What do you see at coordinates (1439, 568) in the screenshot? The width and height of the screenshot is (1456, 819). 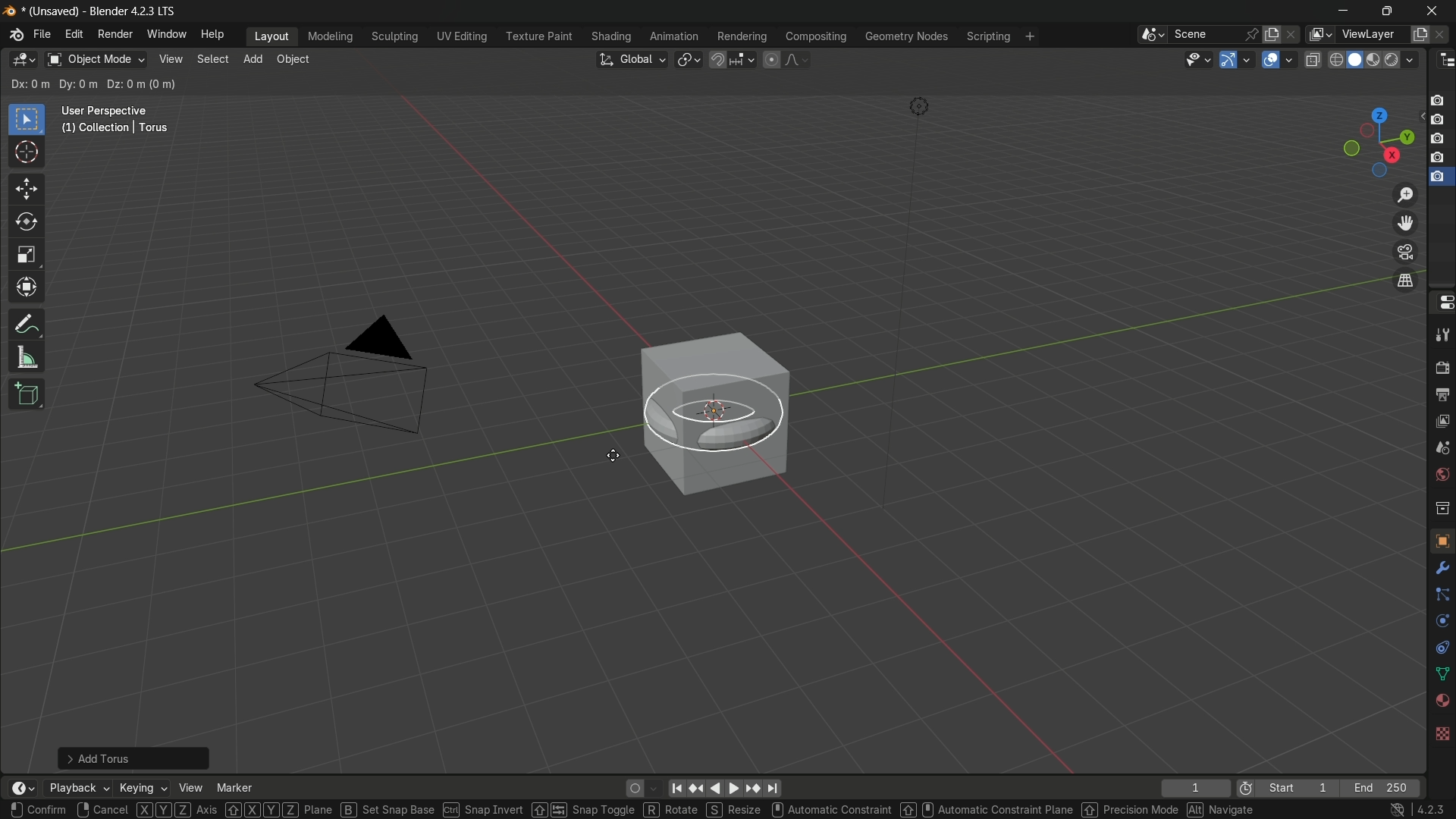 I see `modifier` at bounding box center [1439, 568].